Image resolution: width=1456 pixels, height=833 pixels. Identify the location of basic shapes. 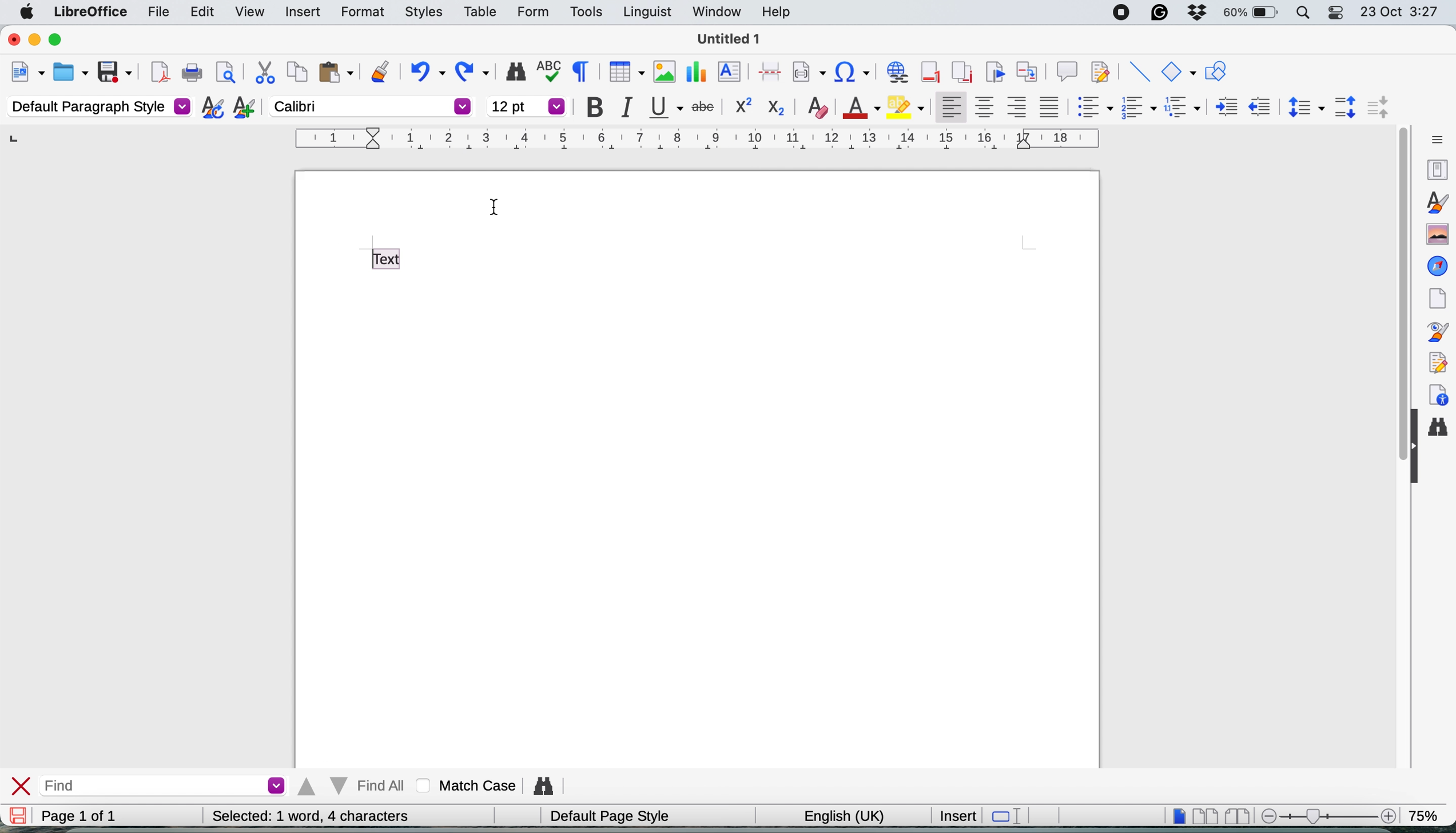
(1179, 74).